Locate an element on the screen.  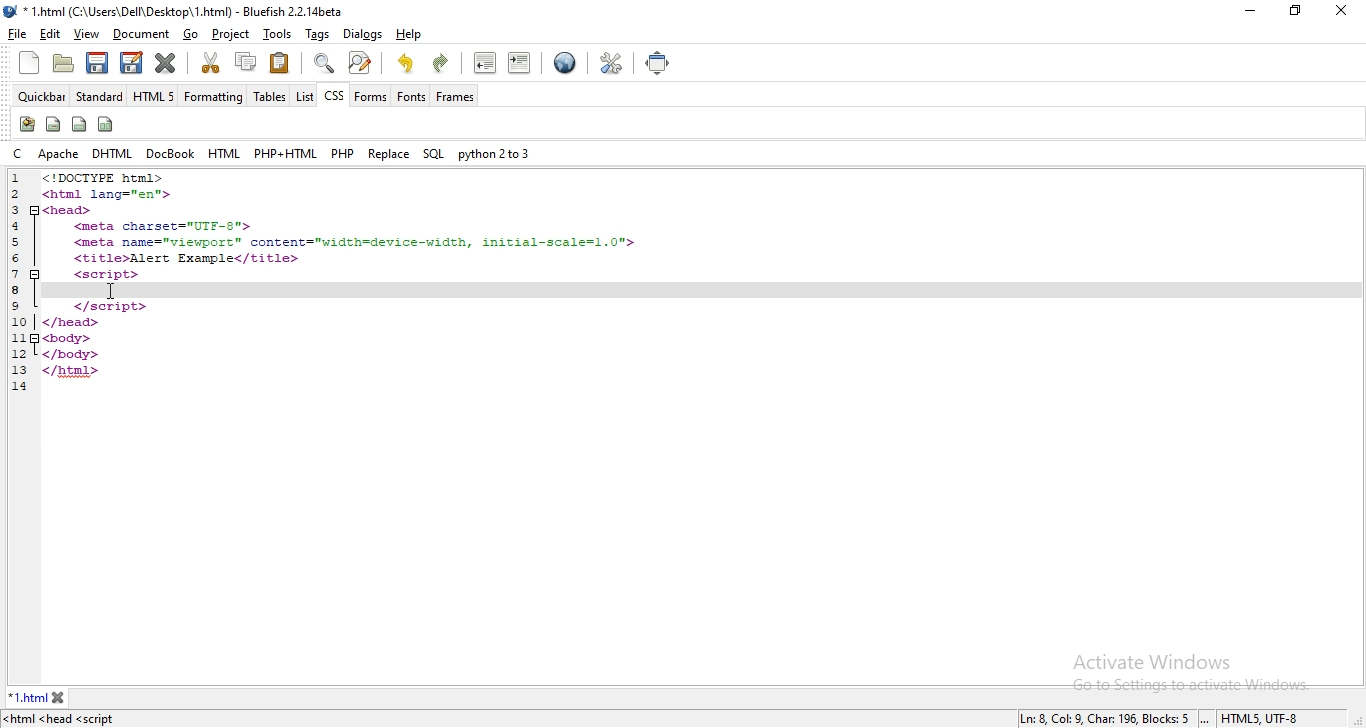
view is located at coordinates (85, 34).